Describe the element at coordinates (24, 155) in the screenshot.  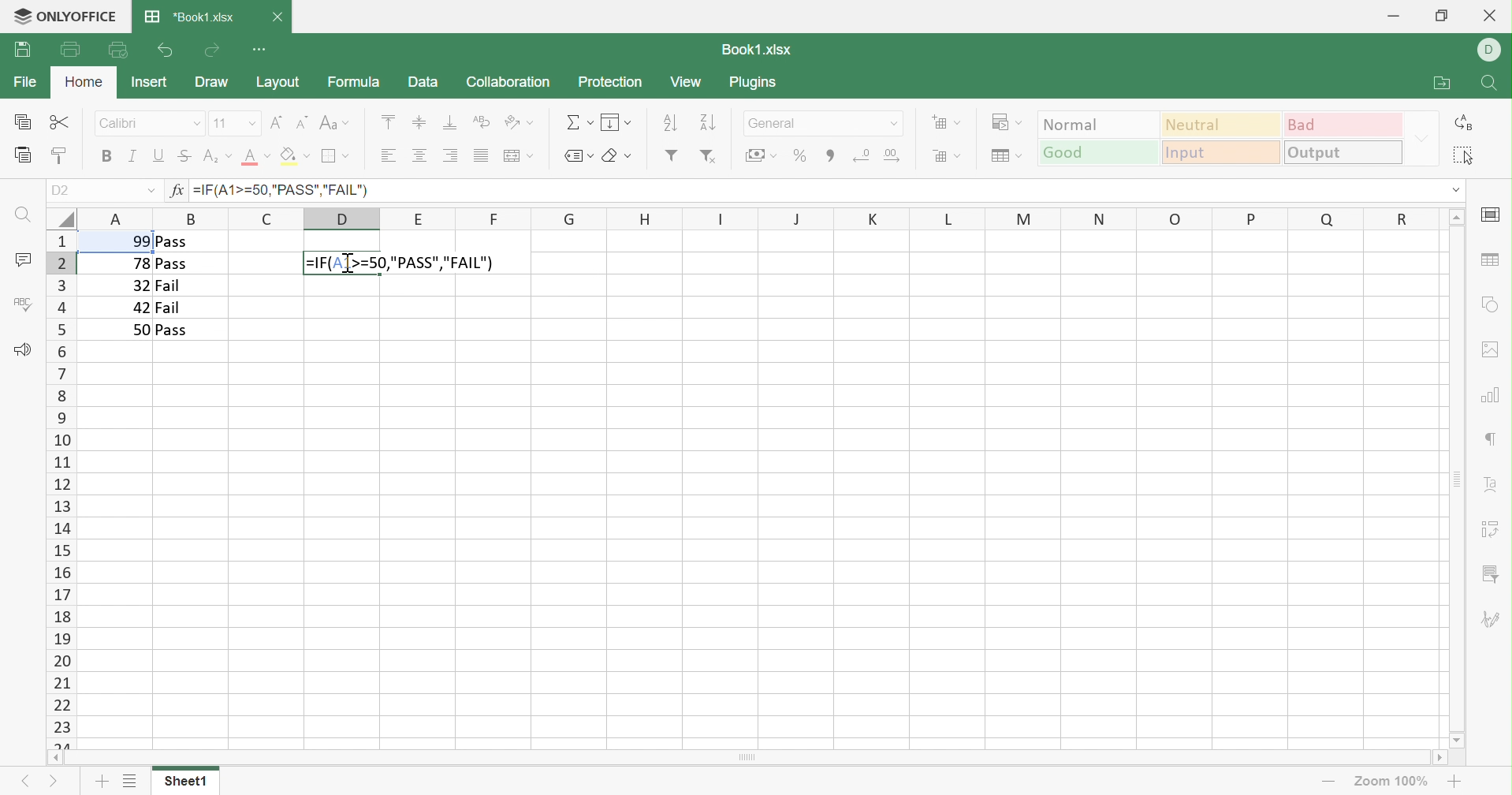
I see `Paste` at that location.